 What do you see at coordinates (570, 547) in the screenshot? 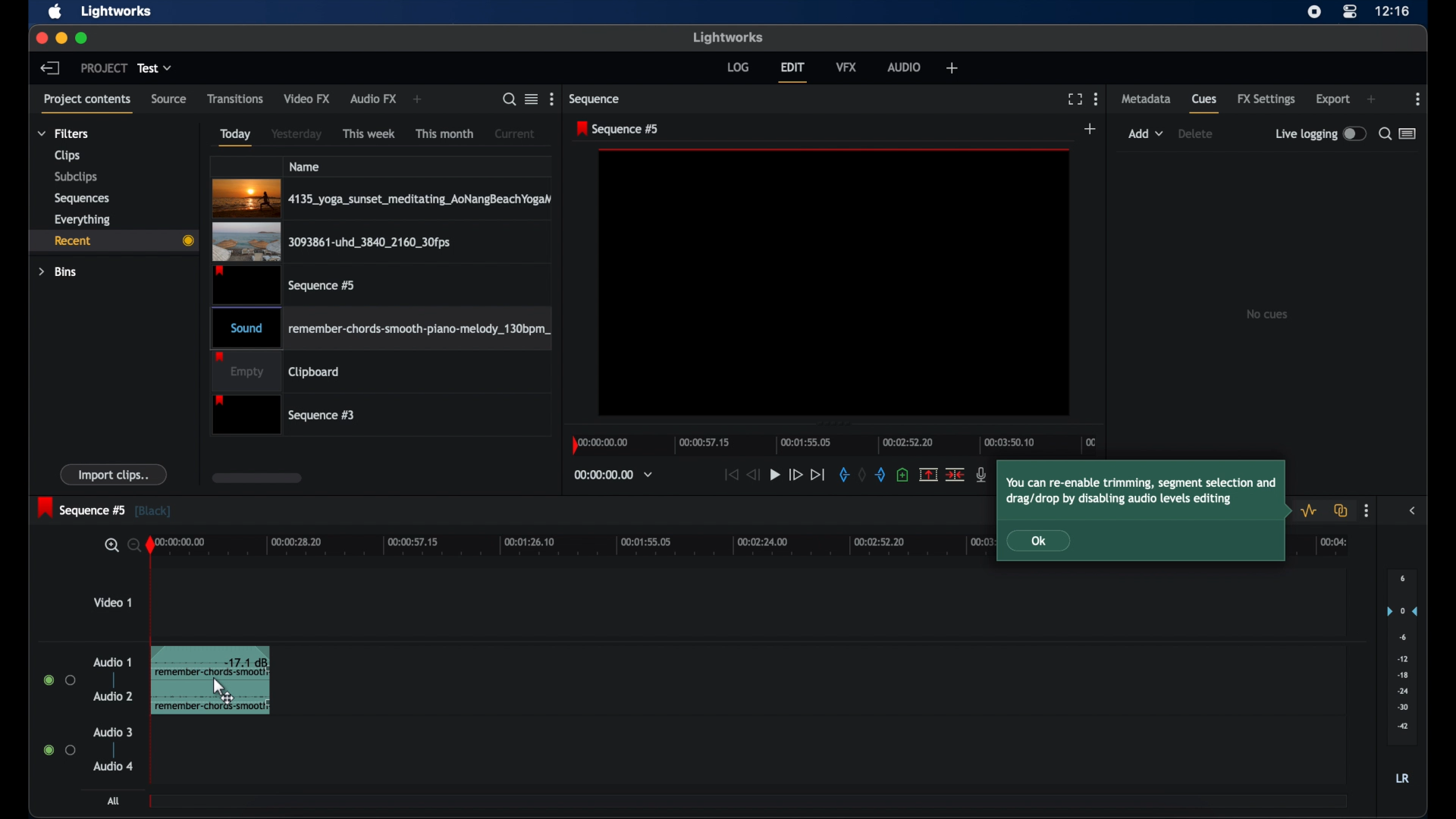
I see `timeline scale` at bounding box center [570, 547].